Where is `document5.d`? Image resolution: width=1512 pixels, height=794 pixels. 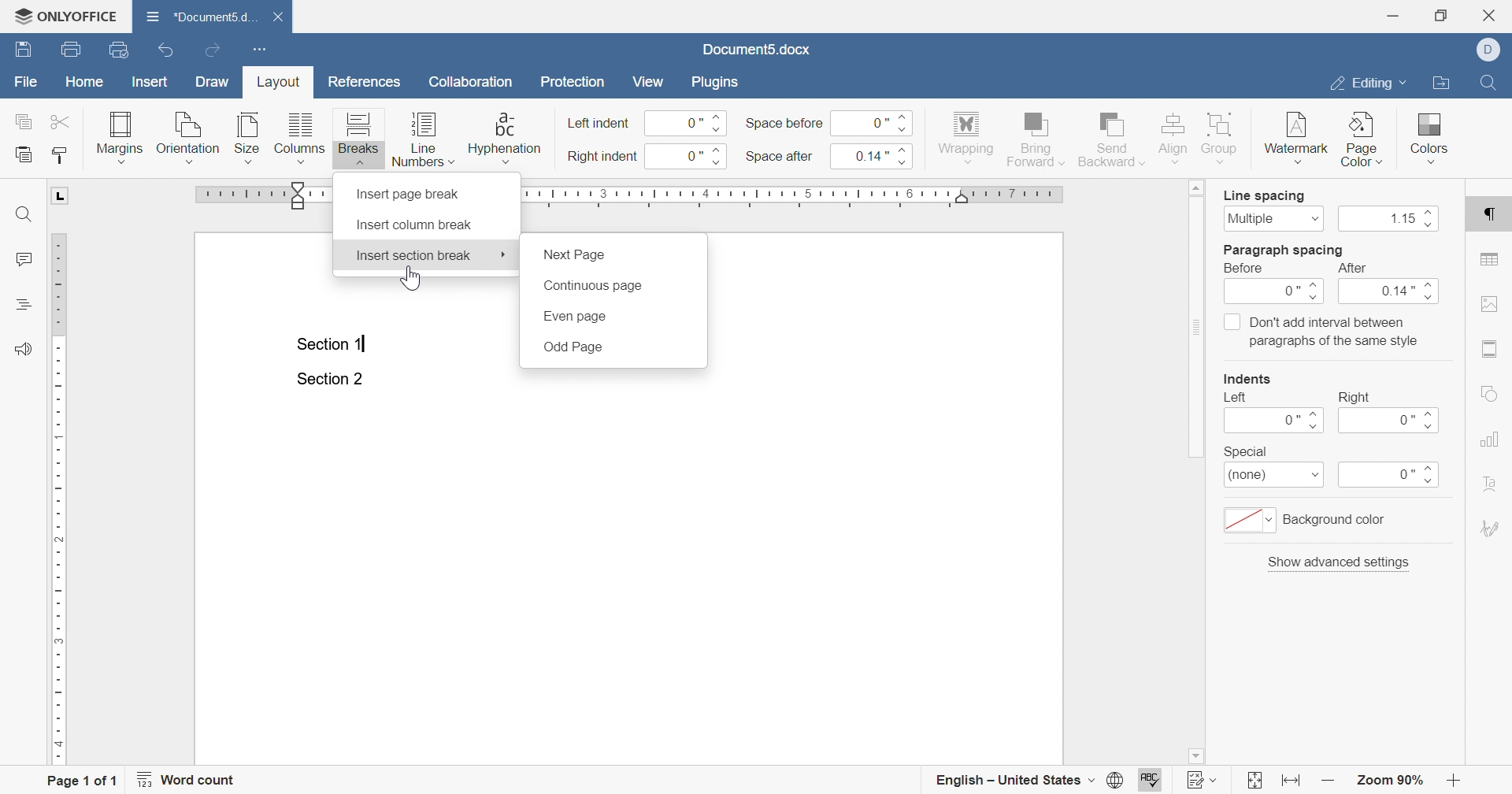 document5.d is located at coordinates (203, 16).